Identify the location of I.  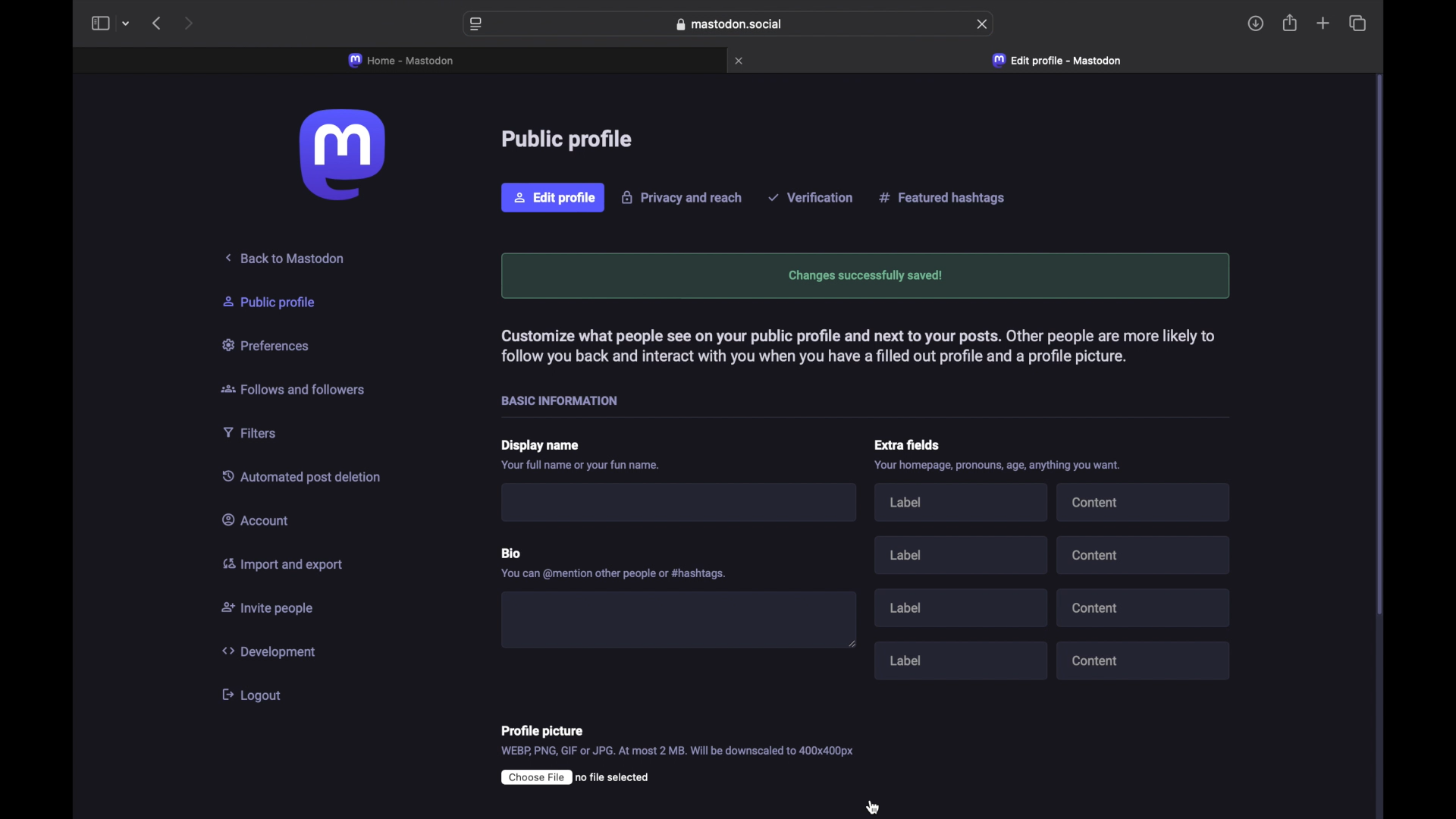
(679, 504).